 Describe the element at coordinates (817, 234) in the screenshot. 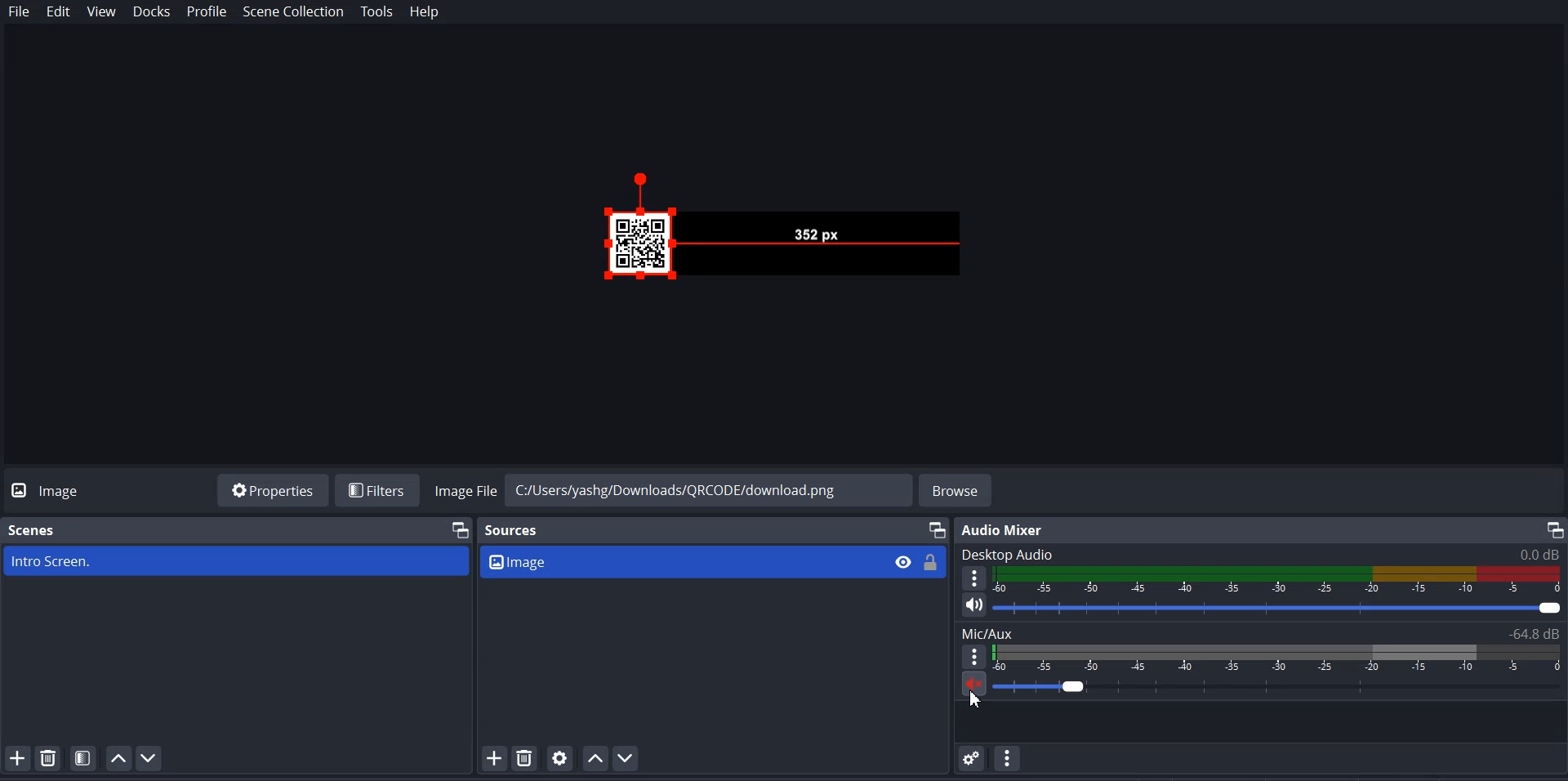

I see `File Preview` at that location.